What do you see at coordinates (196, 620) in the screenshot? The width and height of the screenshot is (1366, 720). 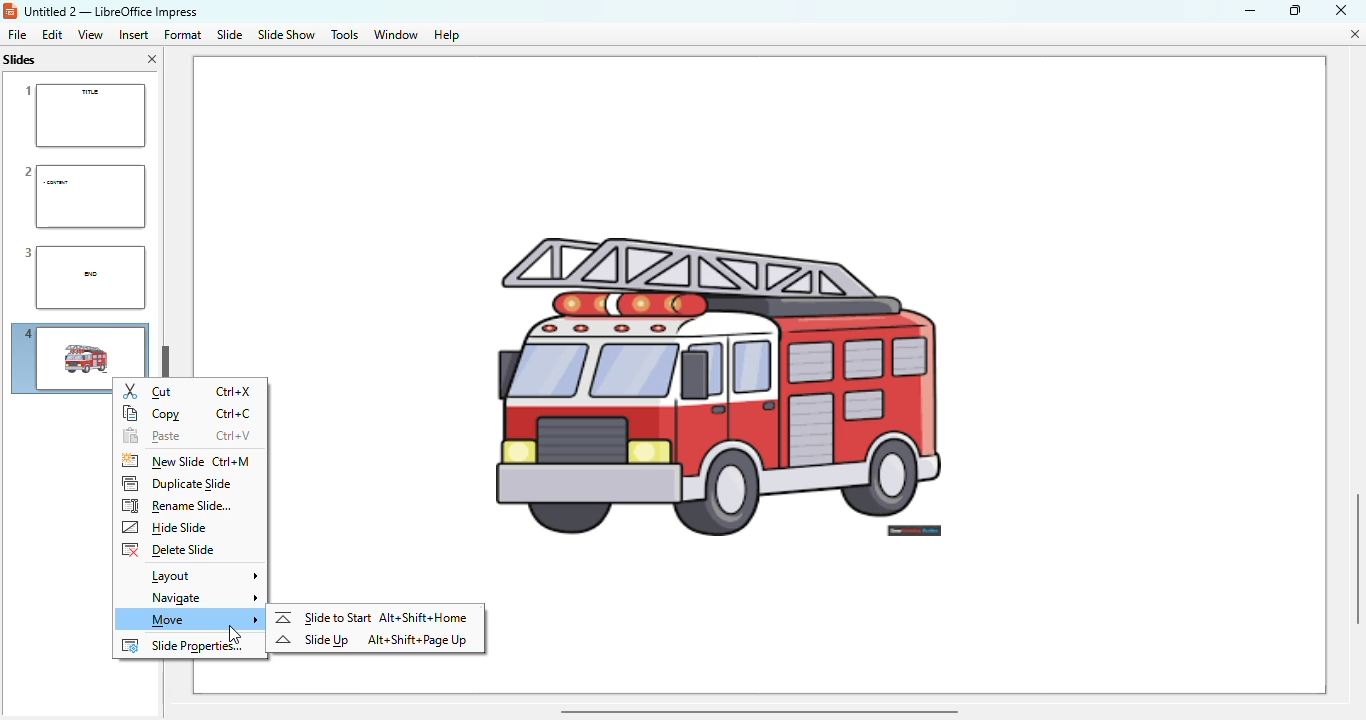 I see `move` at bounding box center [196, 620].